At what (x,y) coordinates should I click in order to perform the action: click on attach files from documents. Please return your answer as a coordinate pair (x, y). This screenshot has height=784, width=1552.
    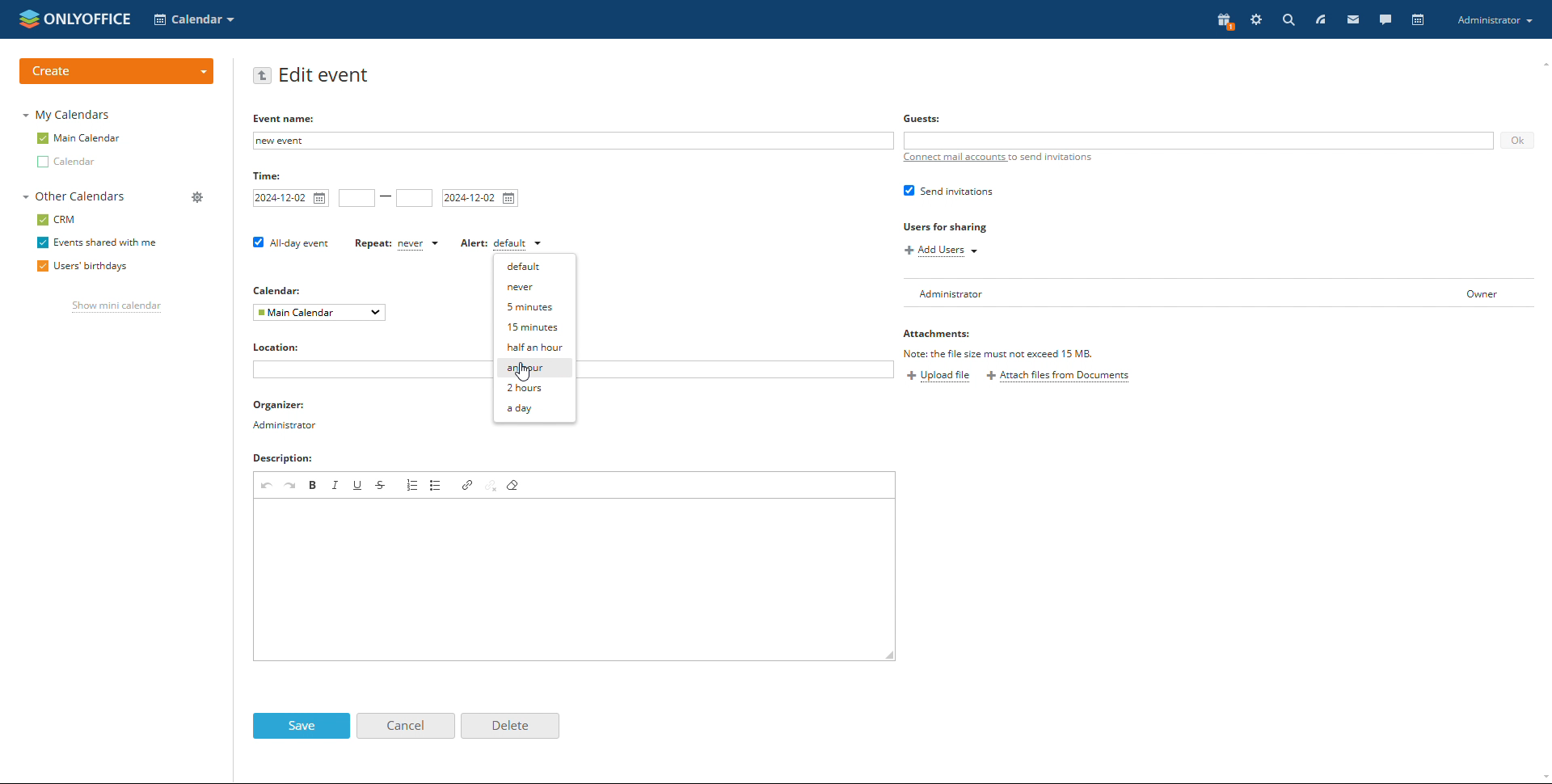
    Looking at the image, I should click on (1064, 377).